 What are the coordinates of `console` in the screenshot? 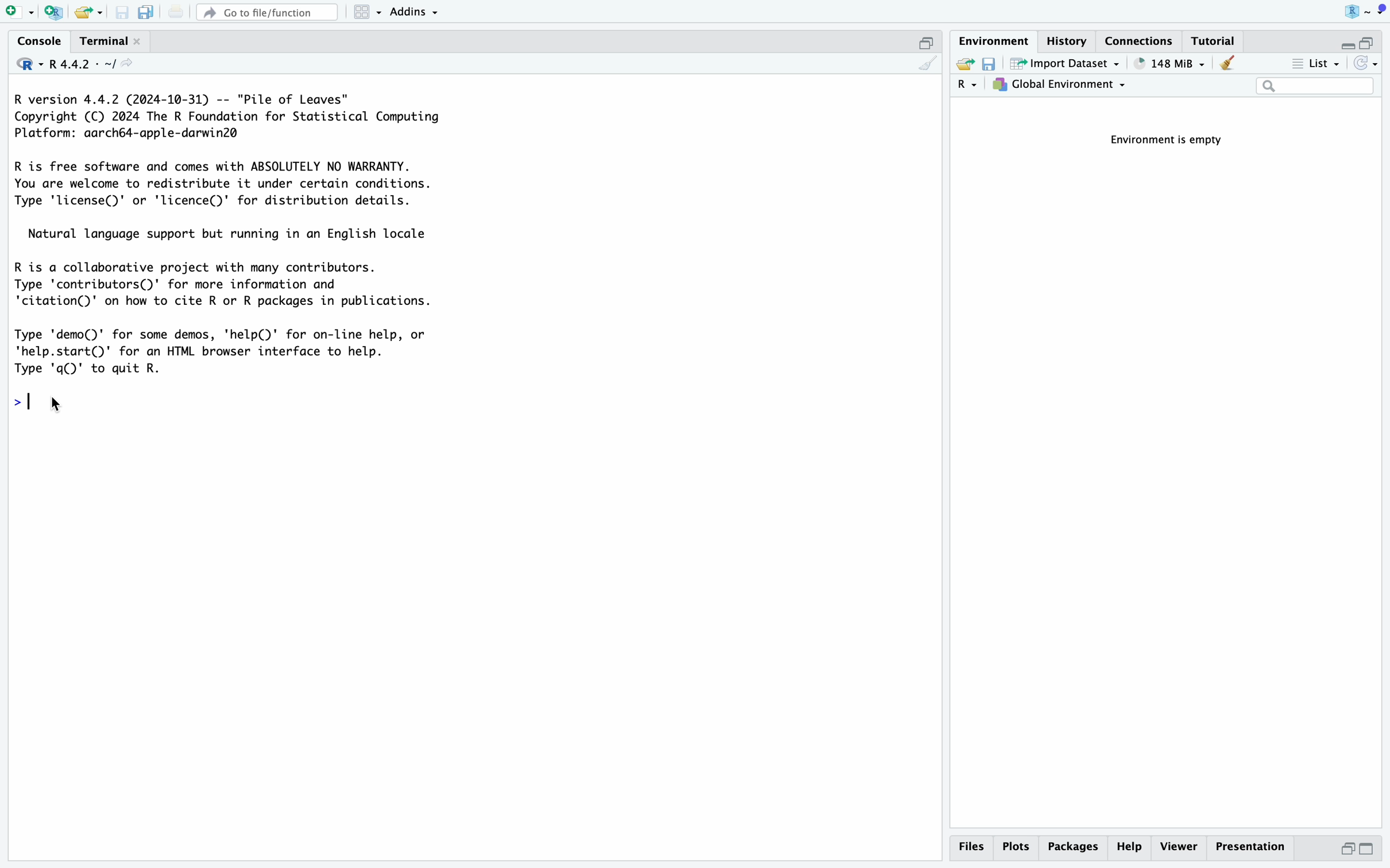 It's located at (927, 64).